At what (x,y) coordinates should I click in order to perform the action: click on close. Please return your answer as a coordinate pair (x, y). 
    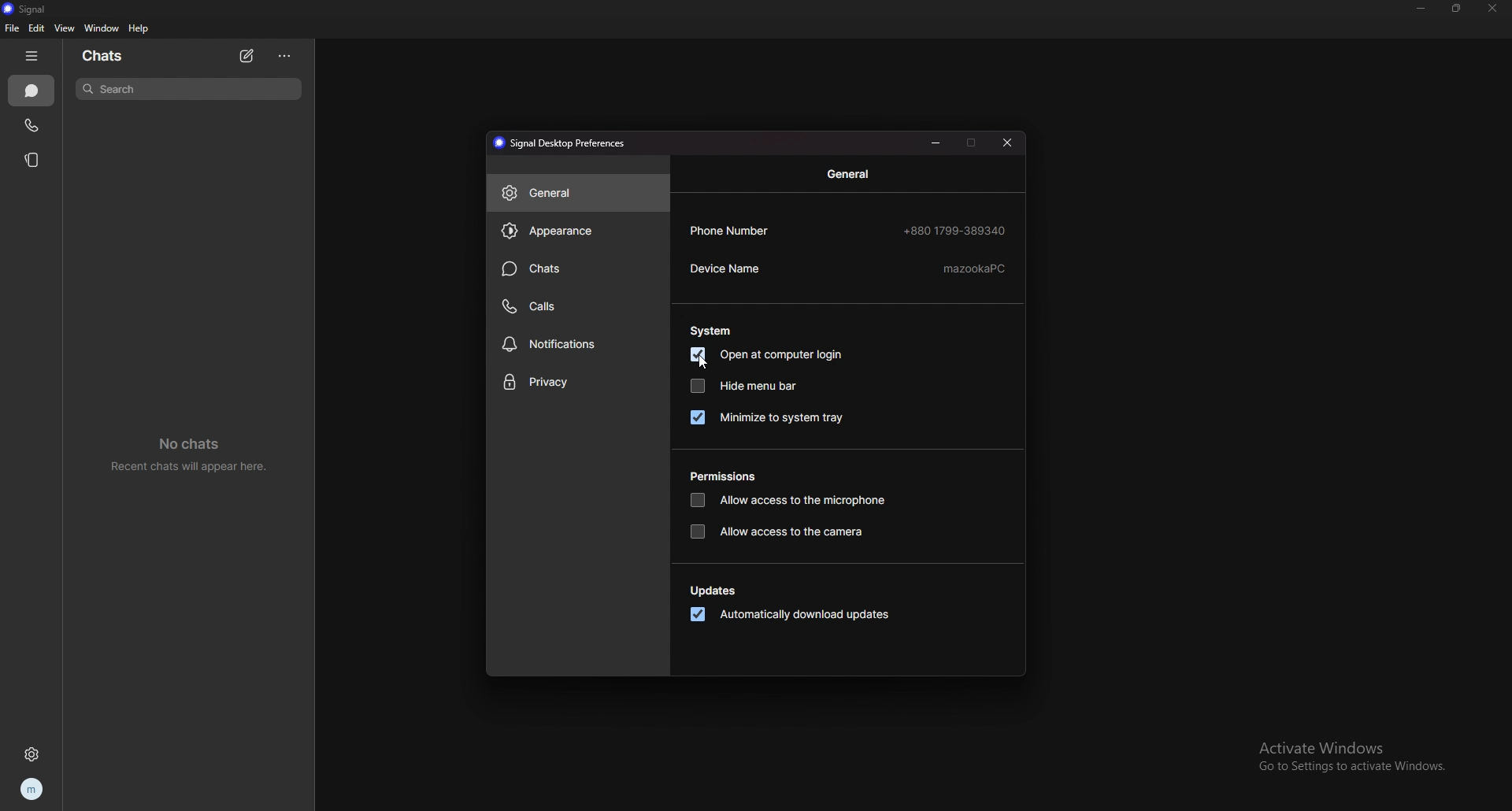
    Looking at the image, I should click on (1491, 8).